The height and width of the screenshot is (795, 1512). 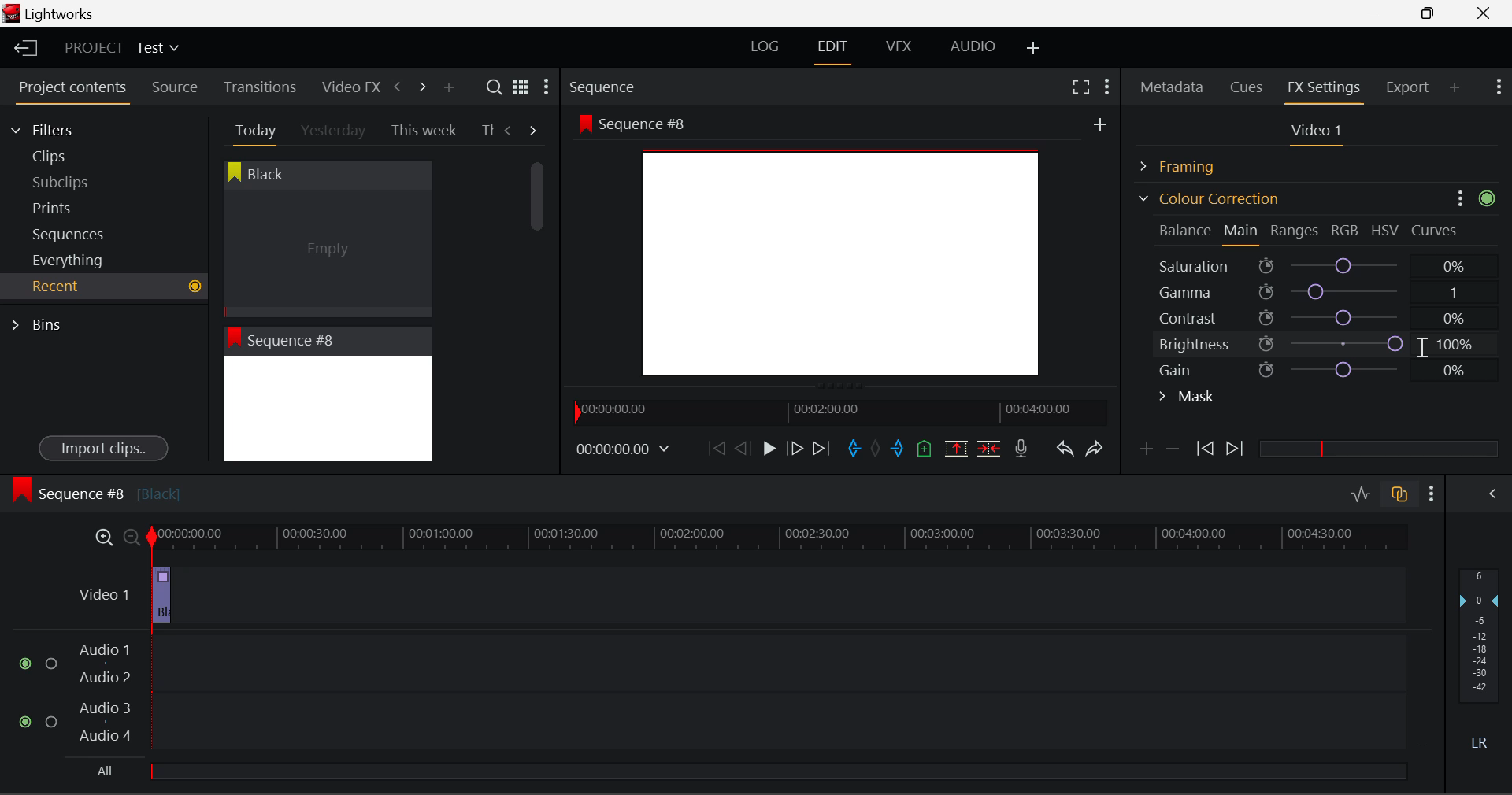 What do you see at coordinates (1400, 493) in the screenshot?
I see `Toggle audio track sync` at bounding box center [1400, 493].